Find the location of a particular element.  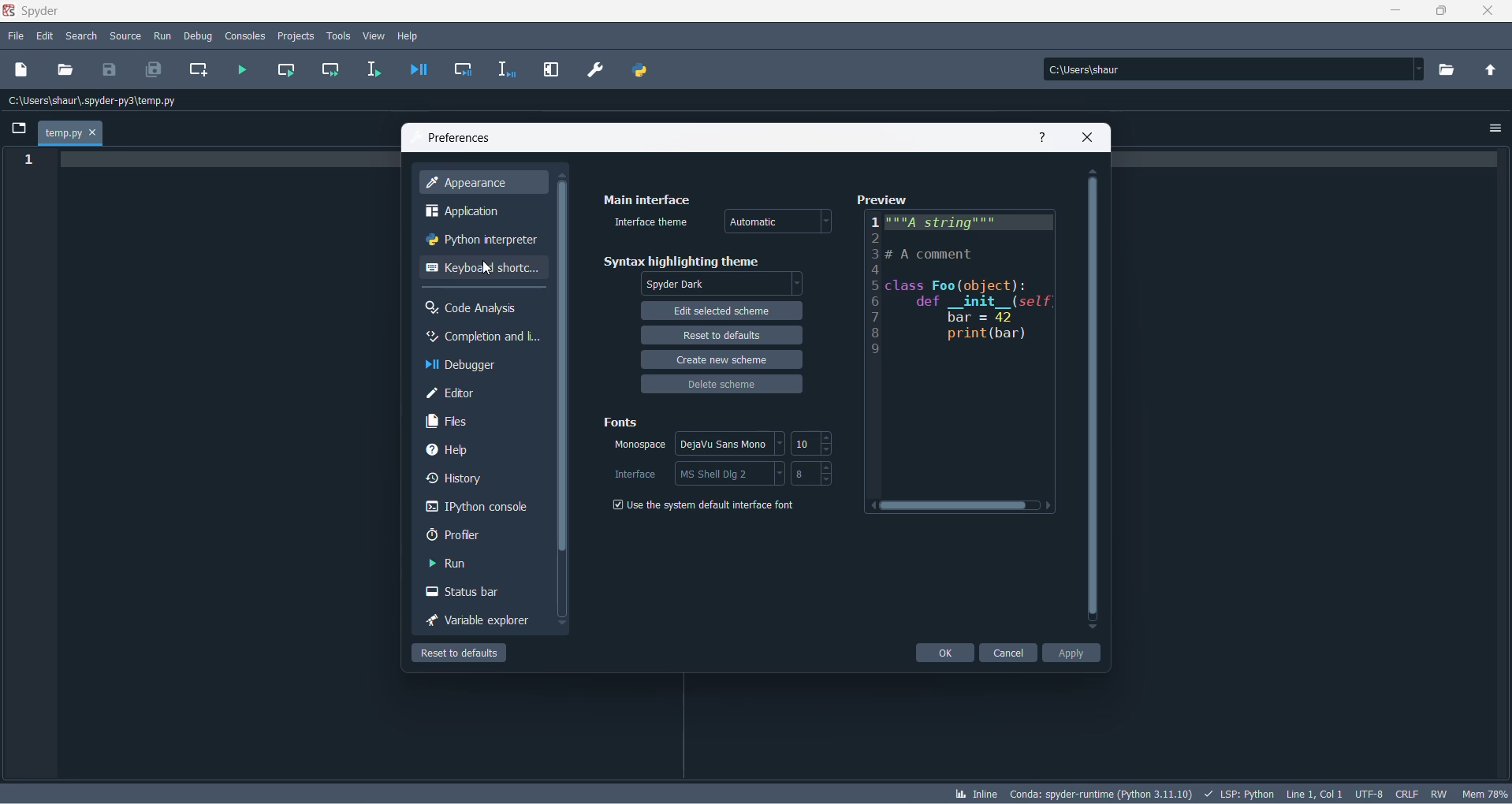

edit is located at coordinates (46, 36).